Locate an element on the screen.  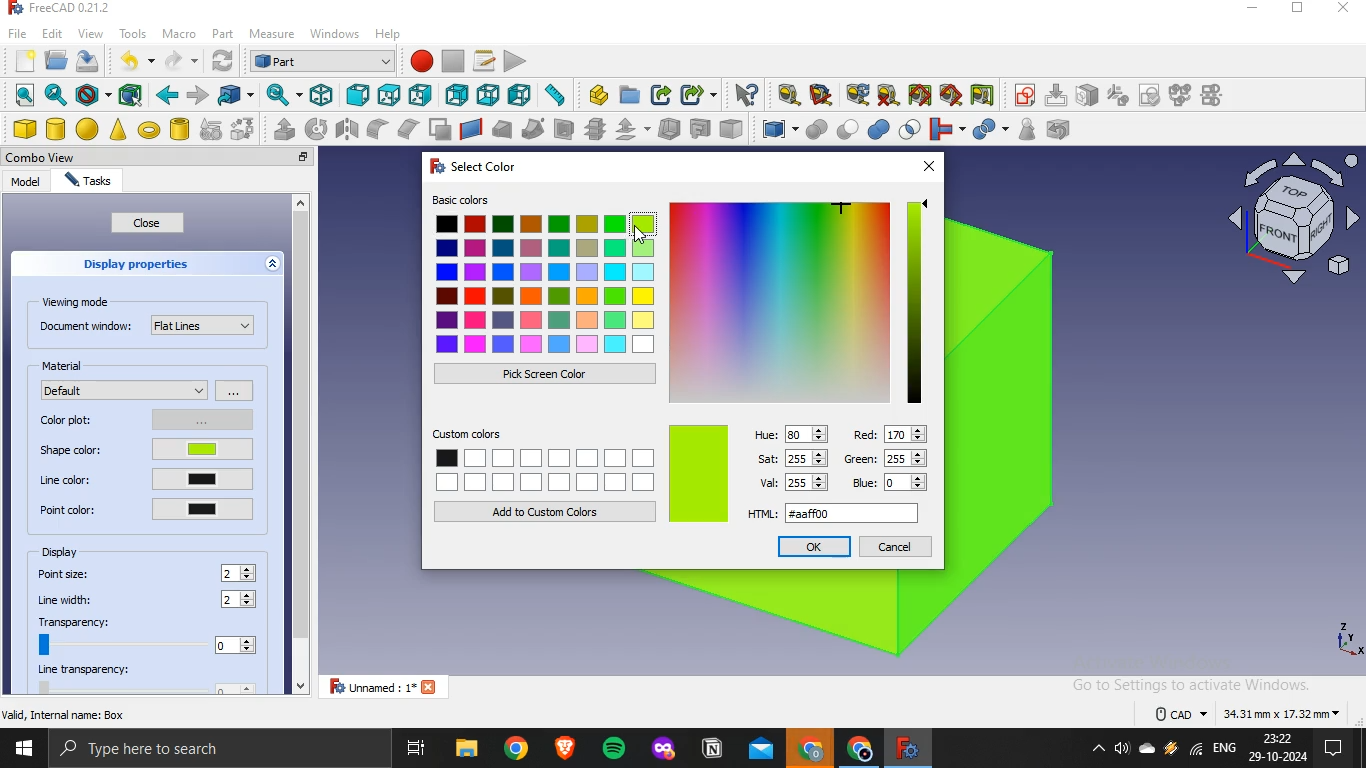
cut is located at coordinates (848, 127).